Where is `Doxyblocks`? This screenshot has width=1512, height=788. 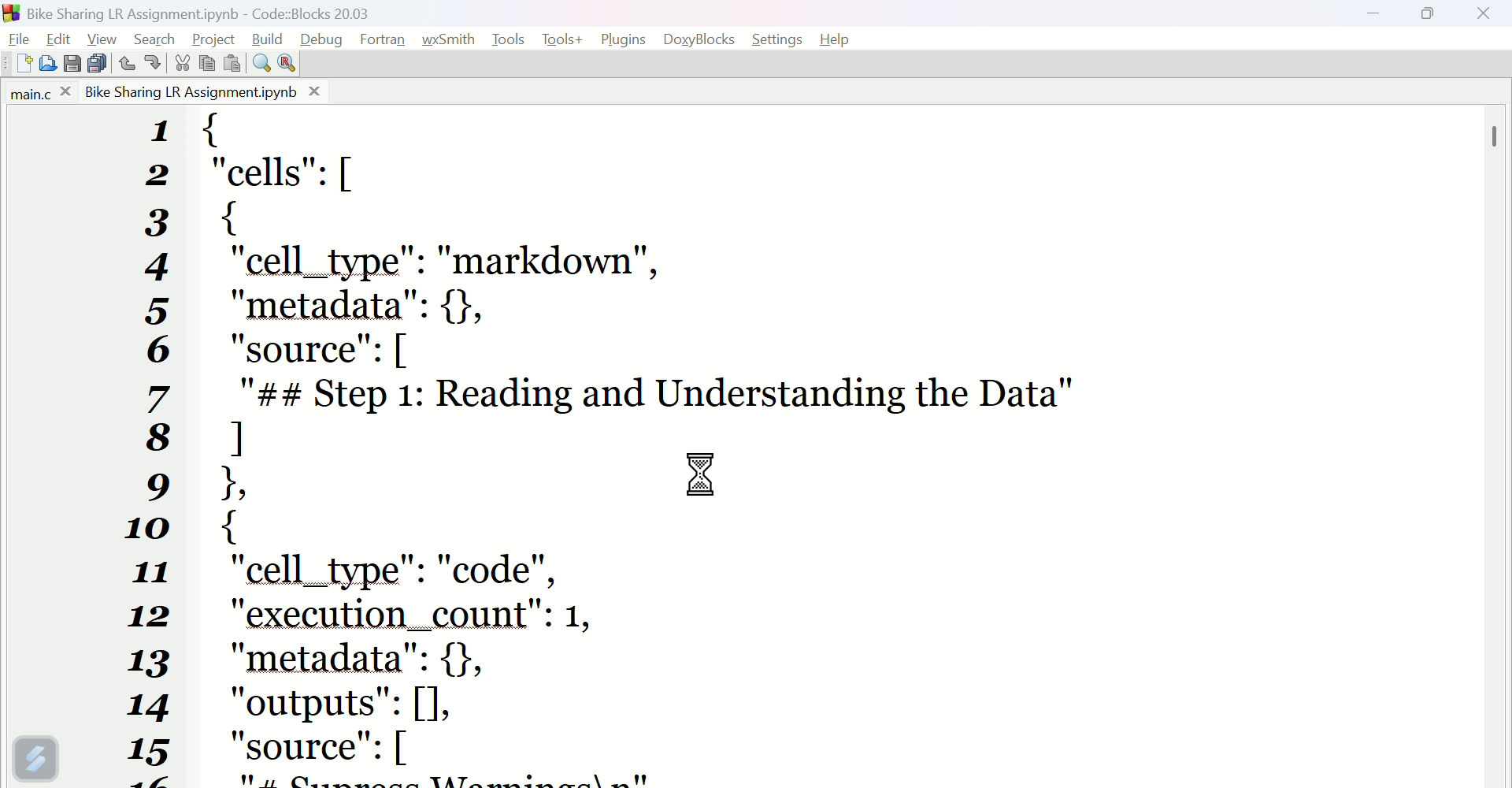 Doxyblocks is located at coordinates (700, 36).